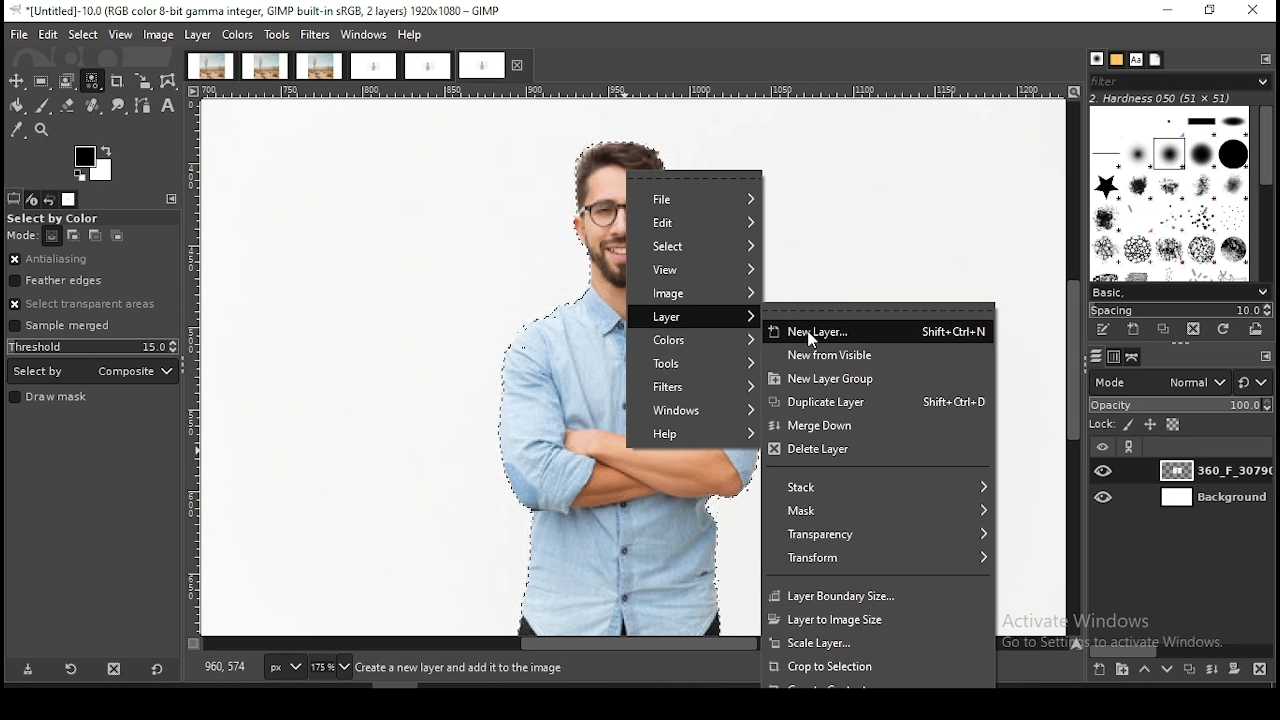  I want to click on text tool, so click(168, 106).